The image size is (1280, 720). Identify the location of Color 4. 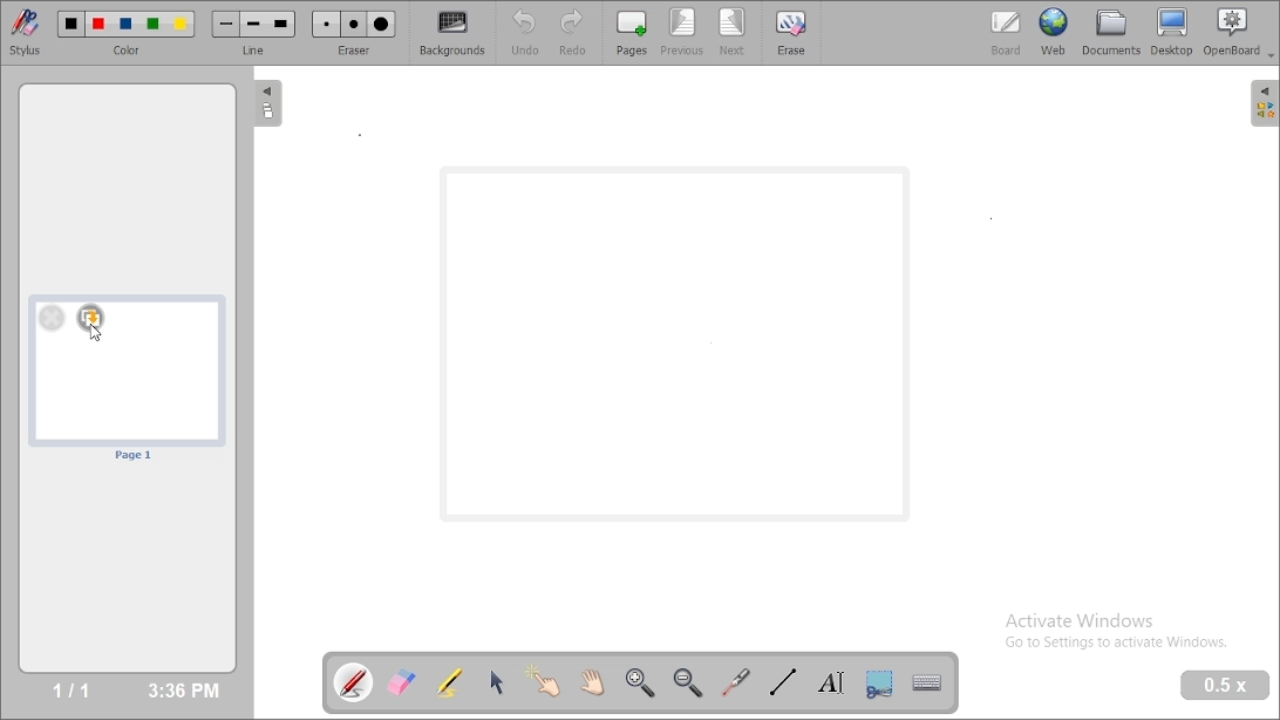
(153, 25).